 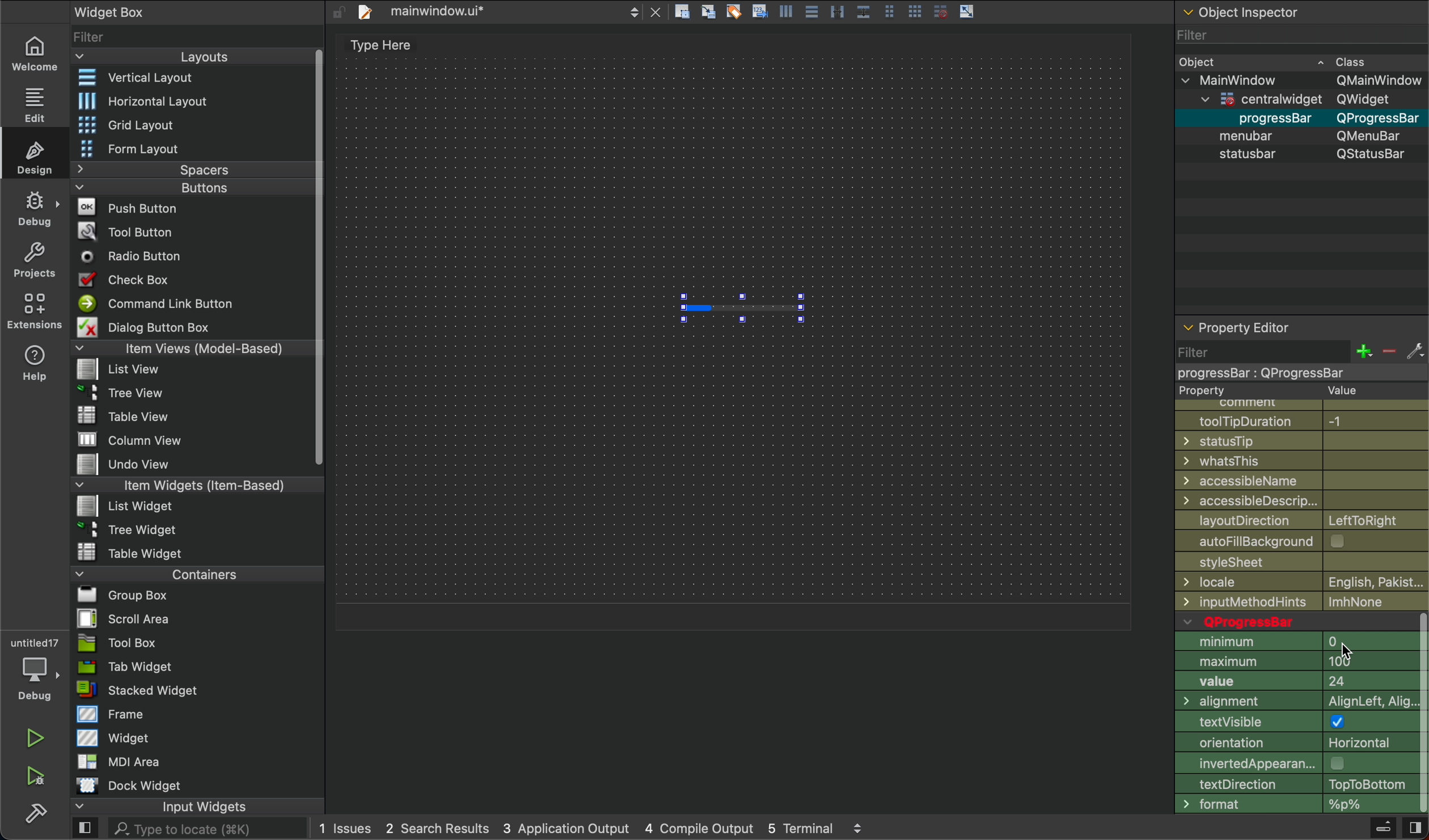 What do you see at coordinates (131, 528) in the screenshot?
I see `File` at bounding box center [131, 528].